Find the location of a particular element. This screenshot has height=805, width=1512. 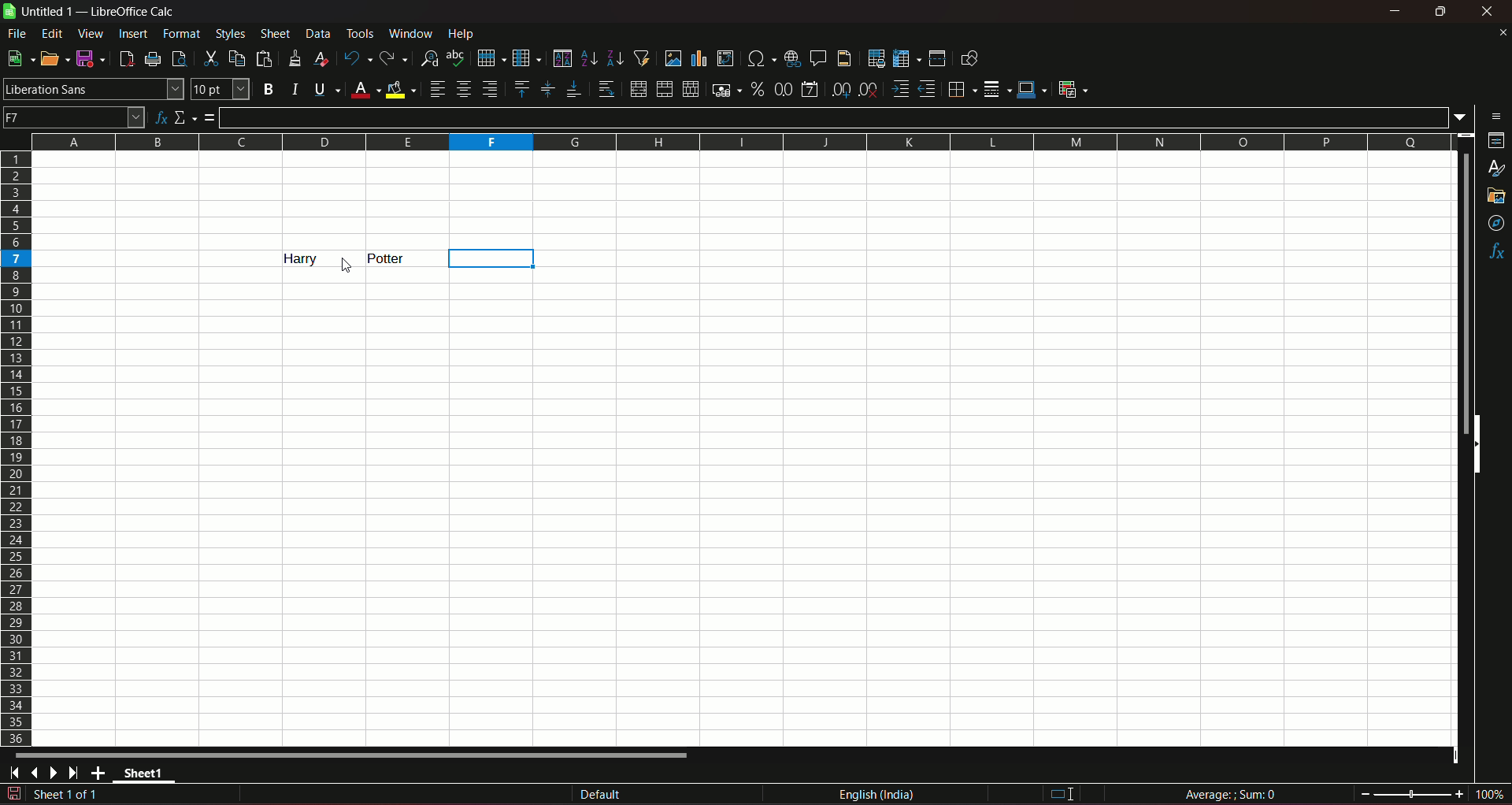

styles is located at coordinates (229, 33).